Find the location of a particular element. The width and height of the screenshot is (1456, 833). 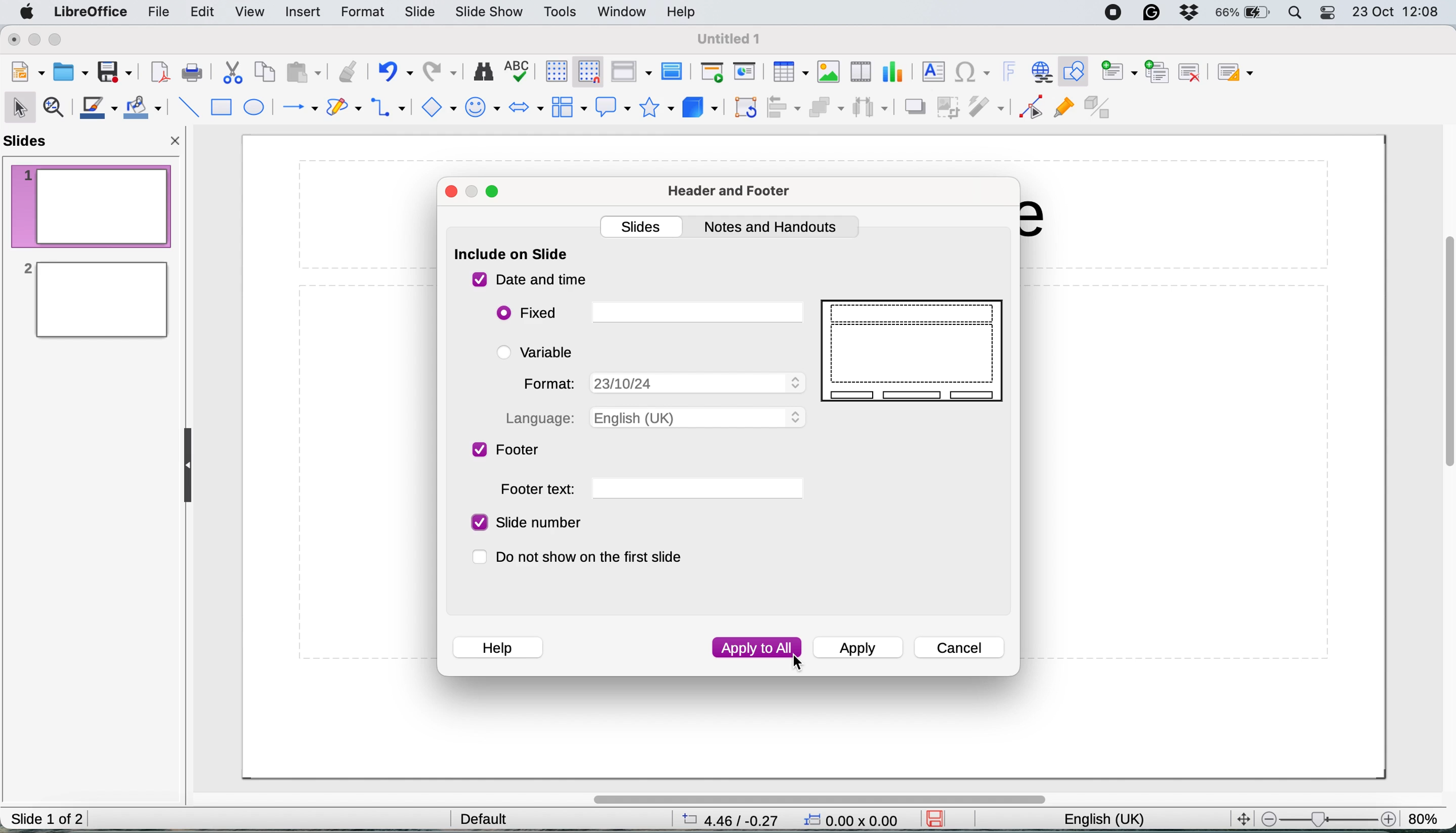

start from current slide is located at coordinates (746, 72).